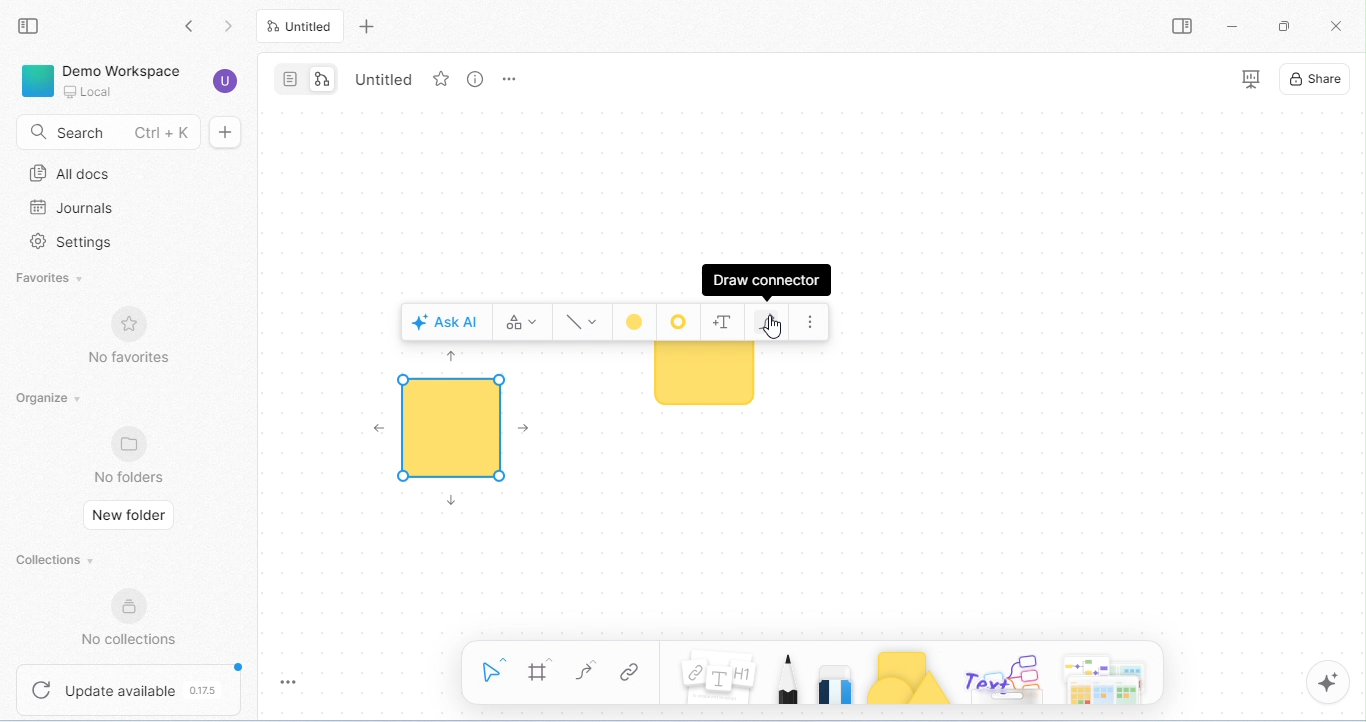 The height and width of the screenshot is (722, 1366). Describe the element at coordinates (765, 323) in the screenshot. I see `draw connector` at that location.